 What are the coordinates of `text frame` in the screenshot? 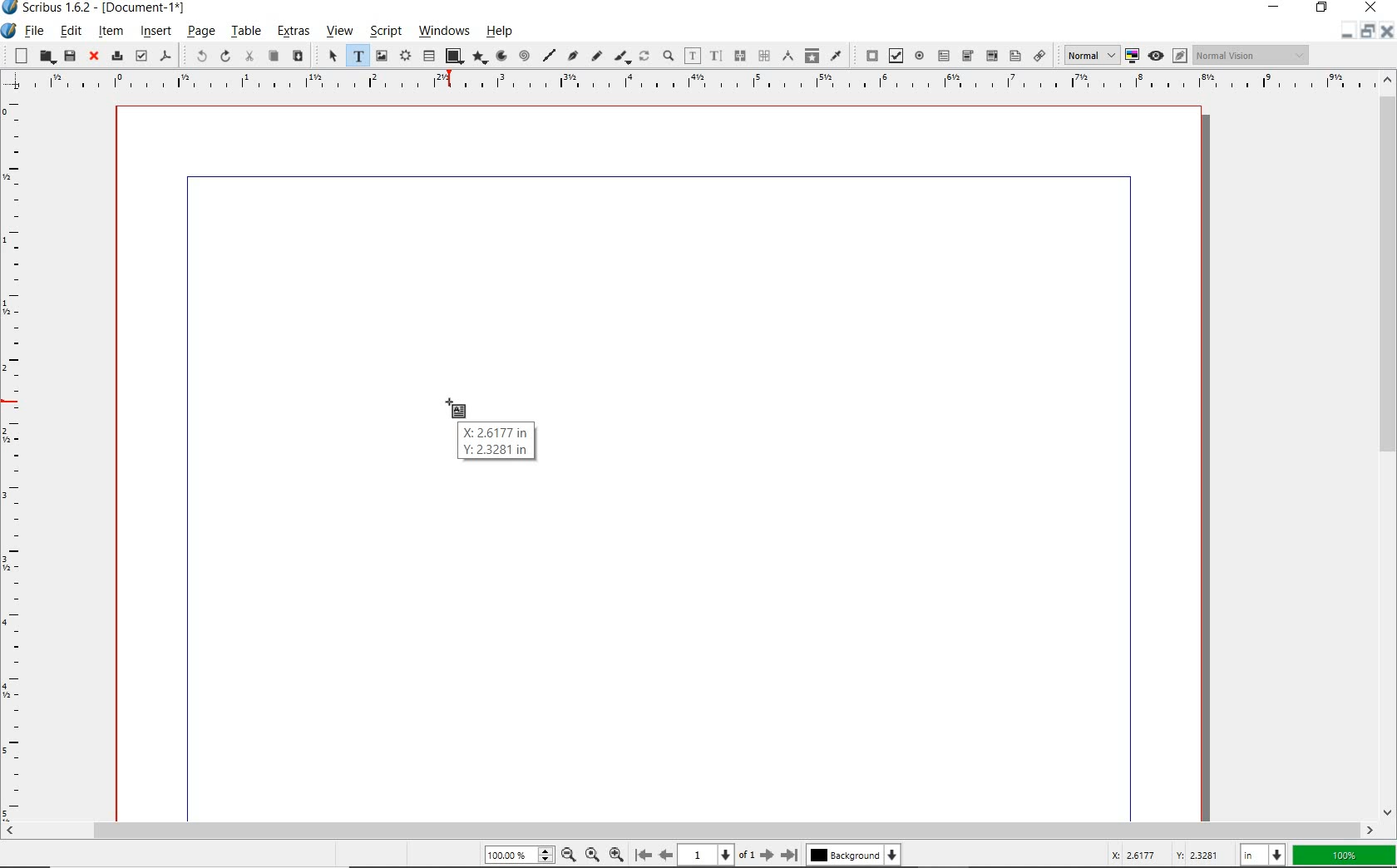 It's located at (355, 56).